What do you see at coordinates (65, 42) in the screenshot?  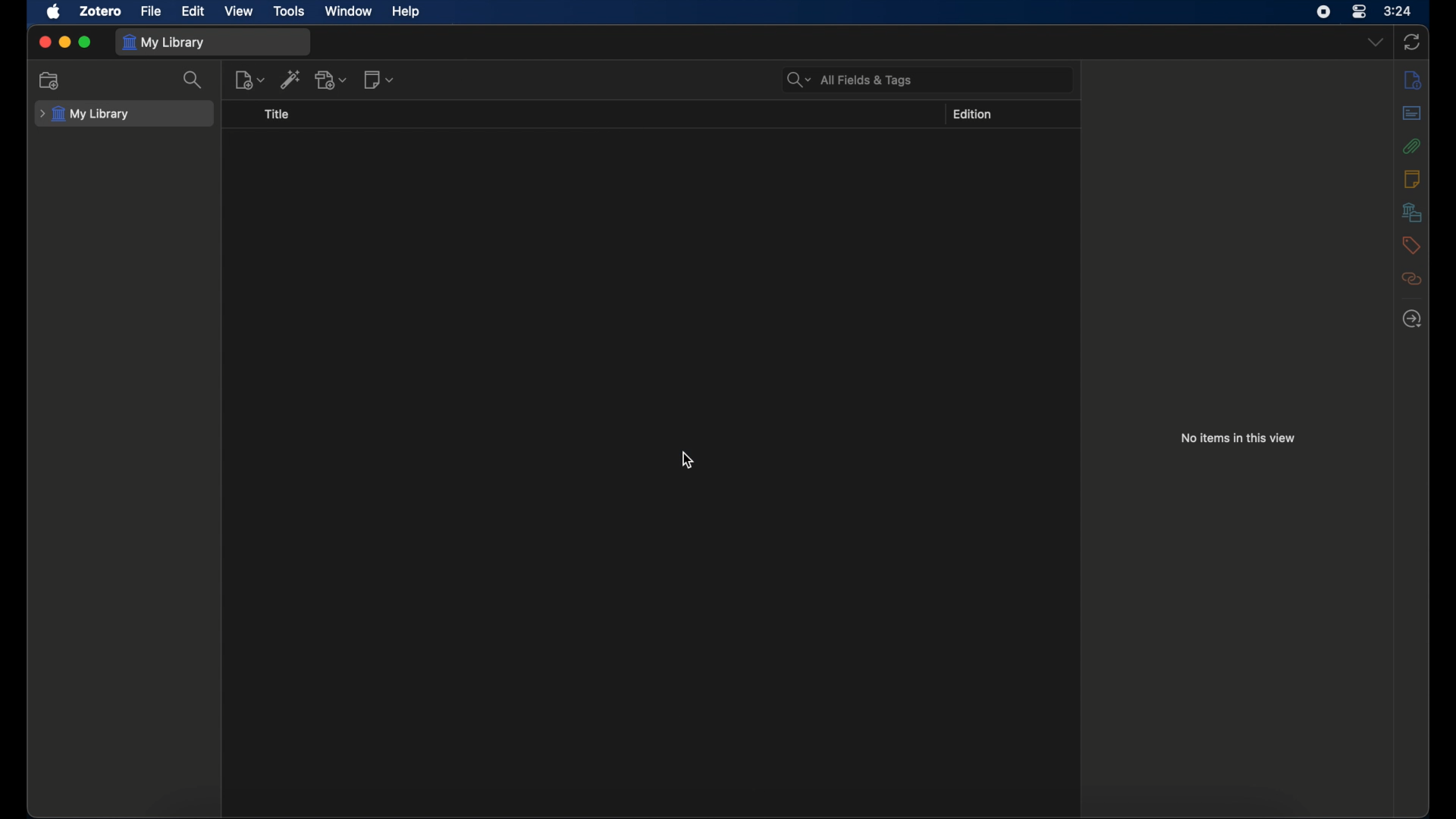 I see `minimize` at bounding box center [65, 42].